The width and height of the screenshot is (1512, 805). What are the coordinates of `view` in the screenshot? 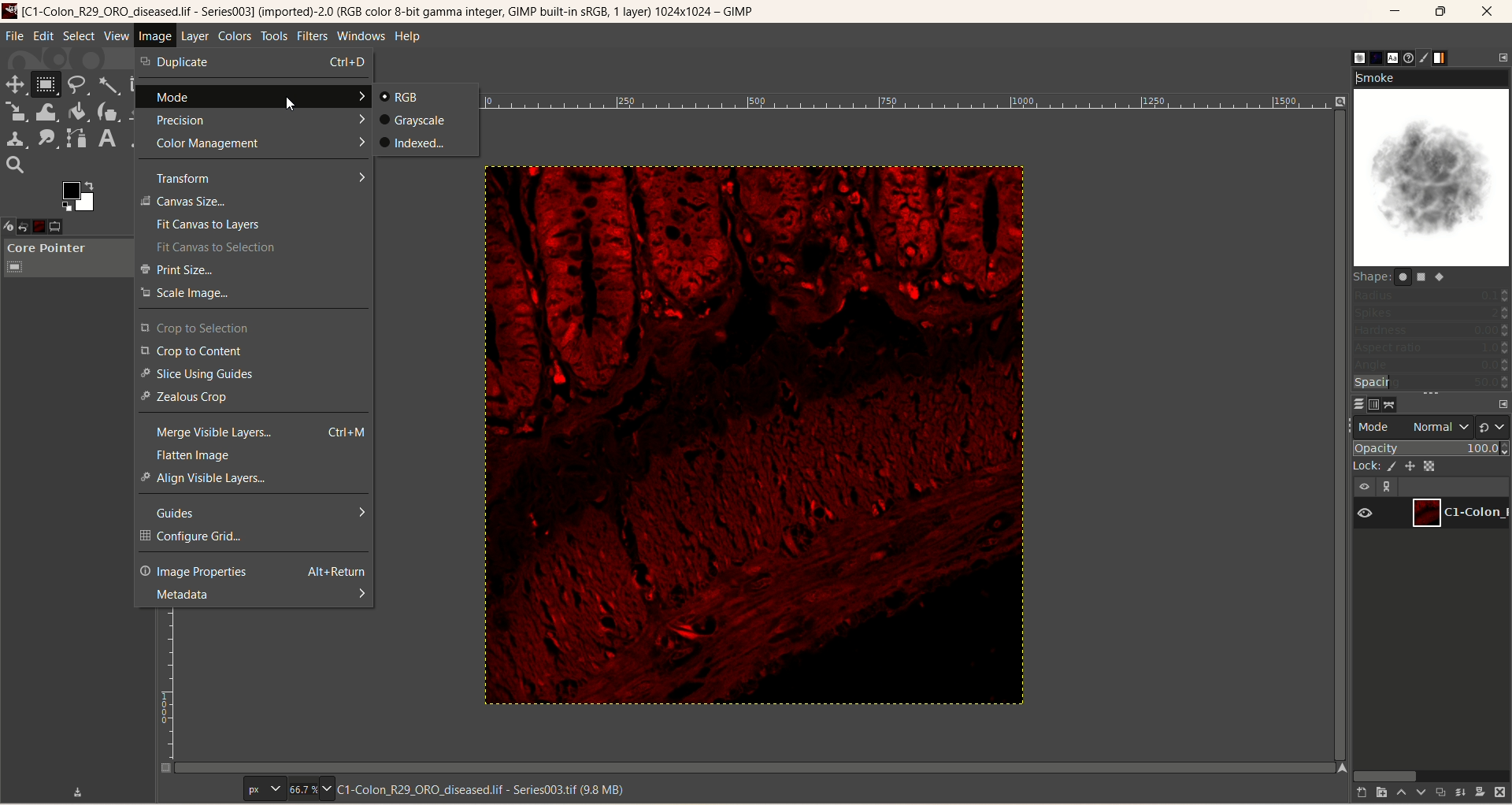 It's located at (117, 35).